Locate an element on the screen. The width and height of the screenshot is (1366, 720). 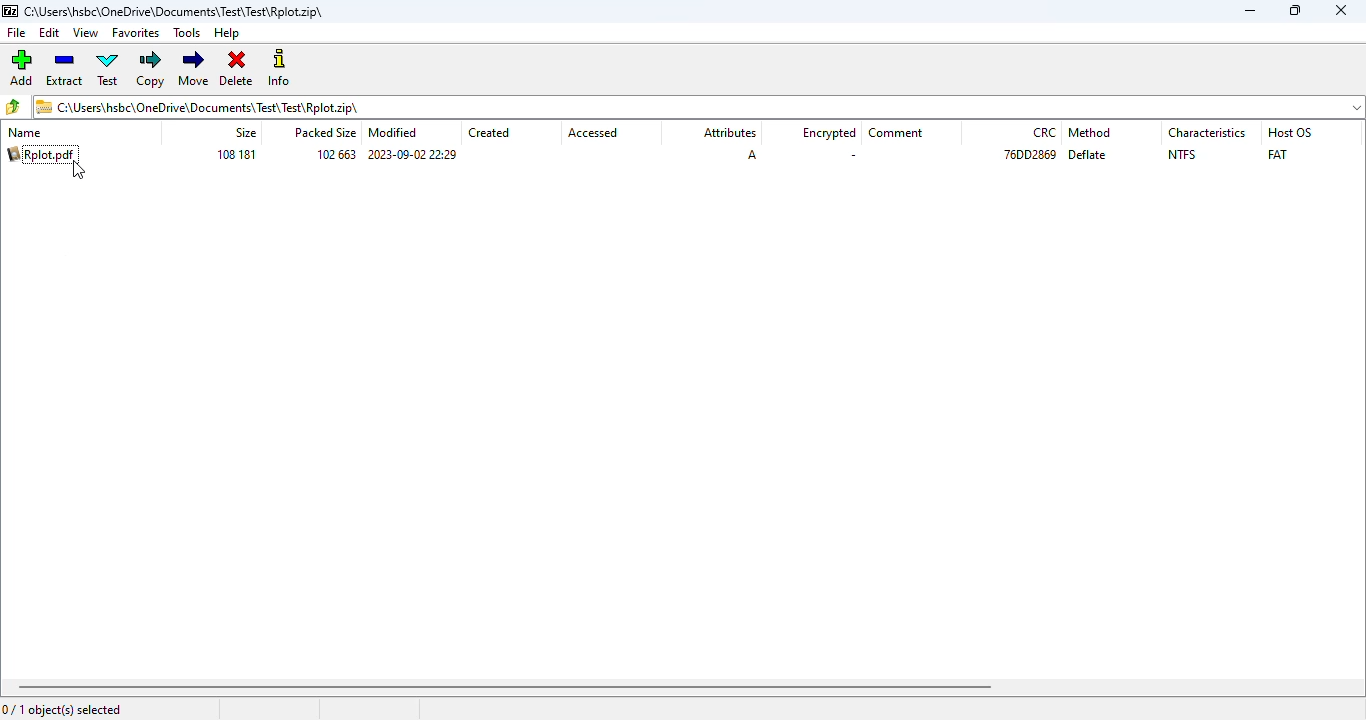
Rplot.pdf is located at coordinates (41, 154).